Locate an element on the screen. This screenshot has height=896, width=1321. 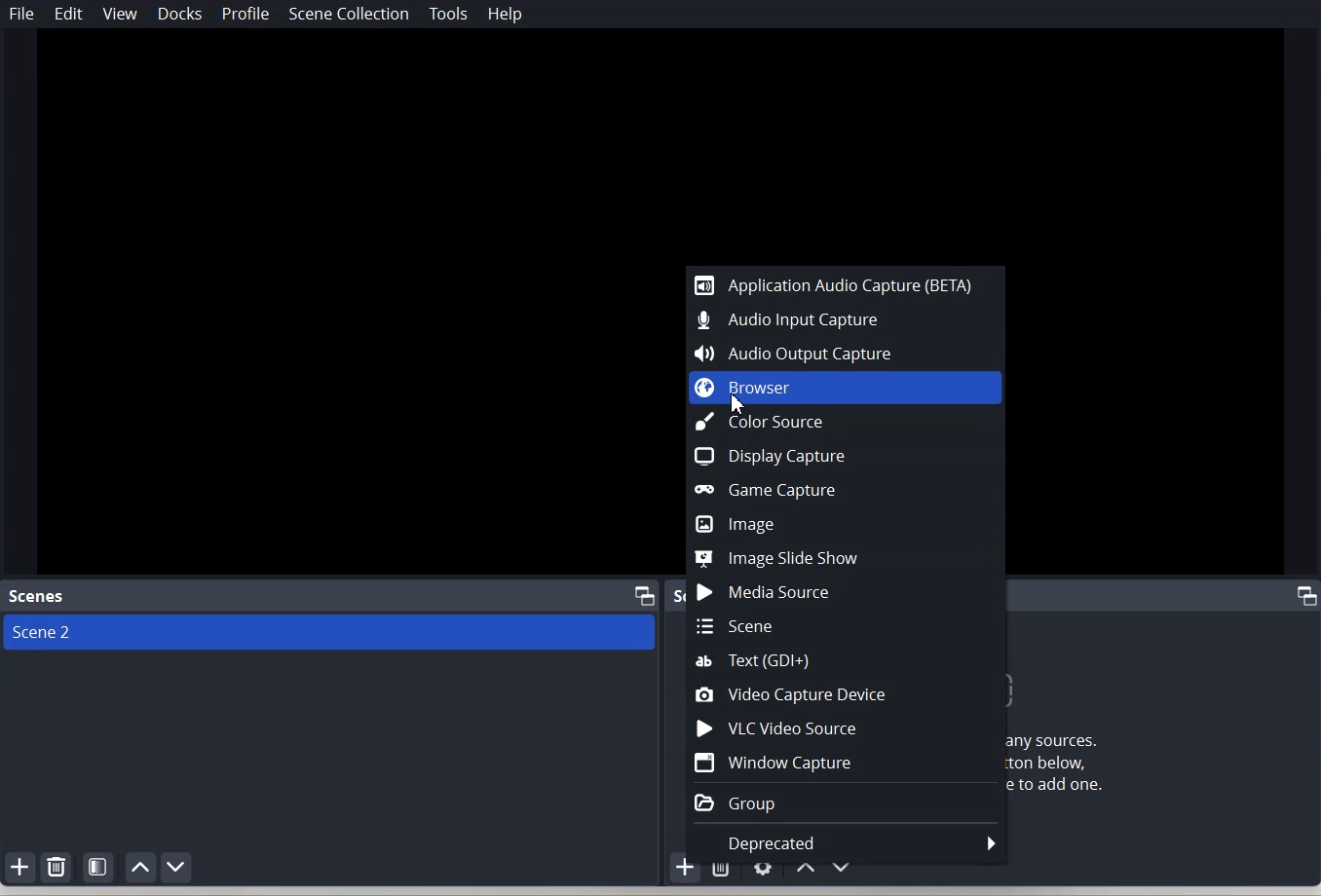
Tools is located at coordinates (450, 13).